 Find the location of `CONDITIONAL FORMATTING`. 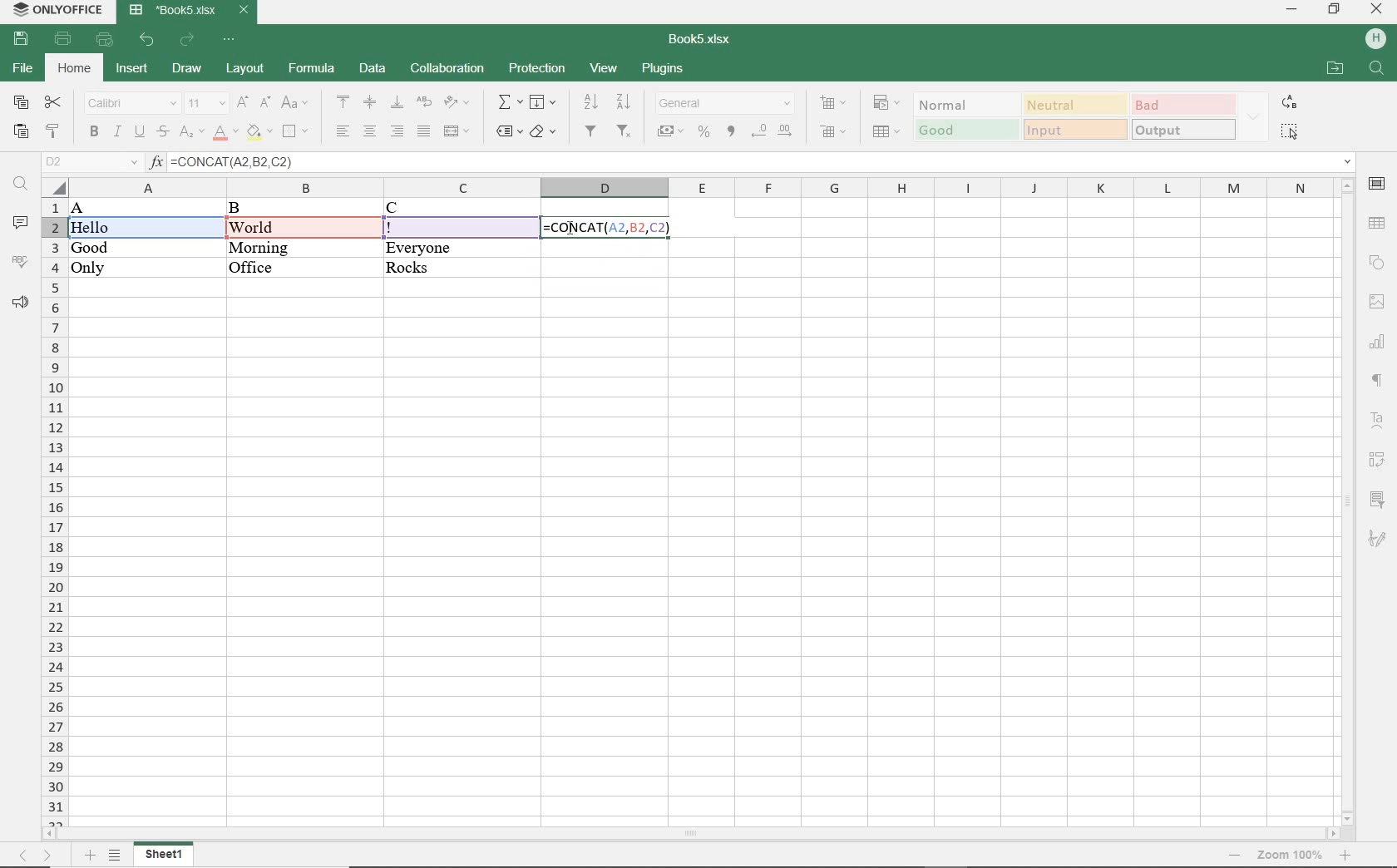

CONDITIONAL FORMATTING is located at coordinates (887, 103).